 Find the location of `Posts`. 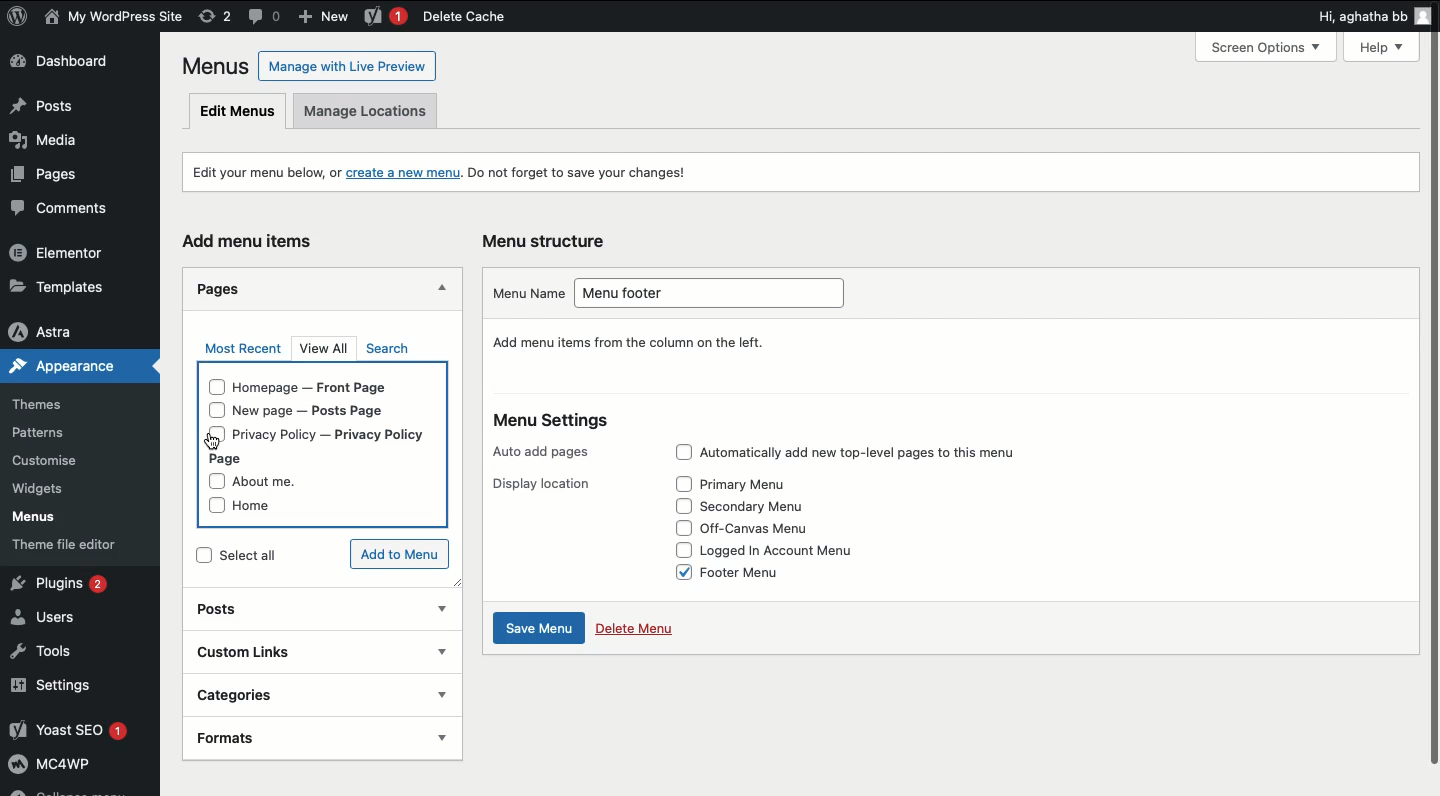

Posts is located at coordinates (74, 107).